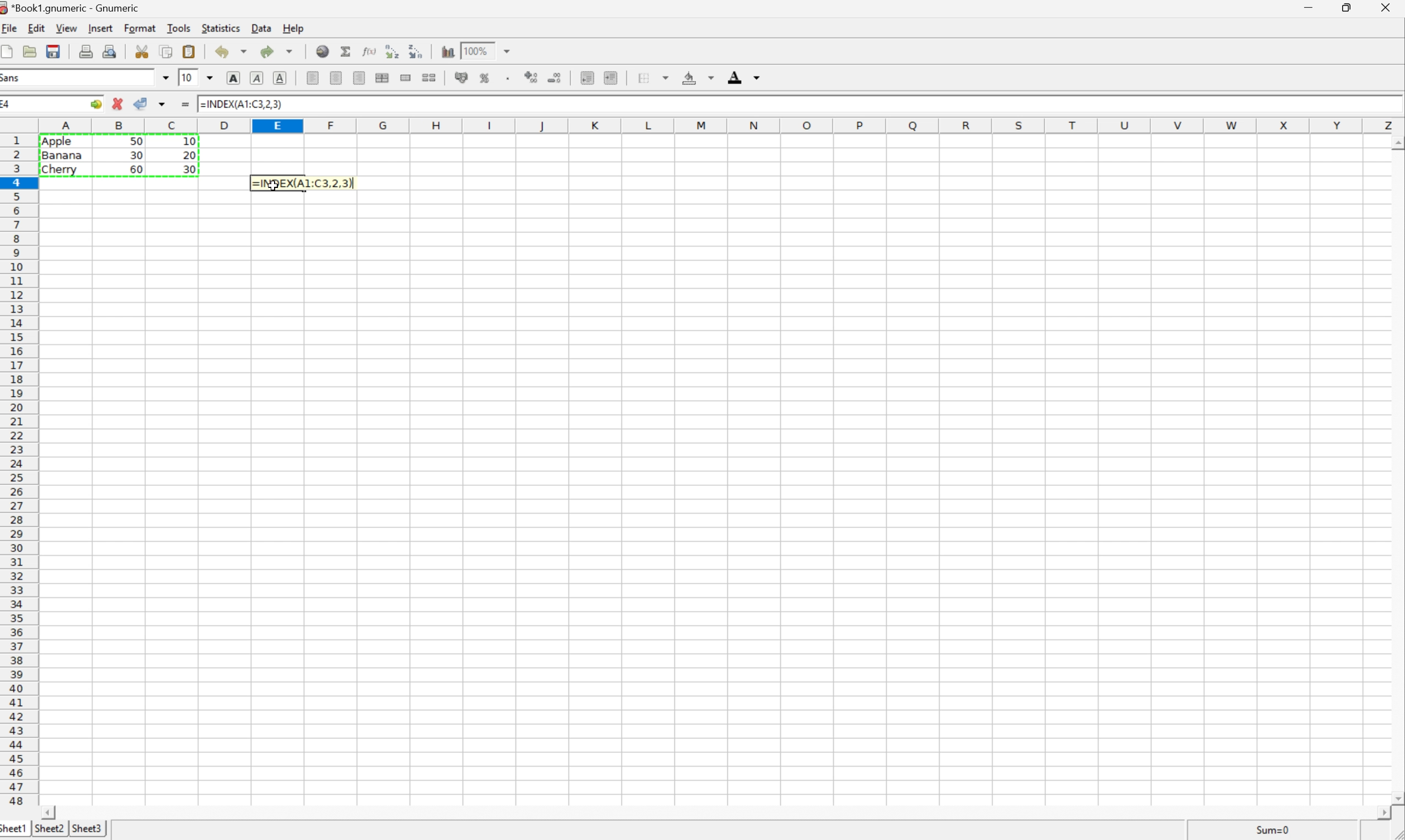  Describe the element at coordinates (96, 104) in the screenshot. I see `go to` at that location.